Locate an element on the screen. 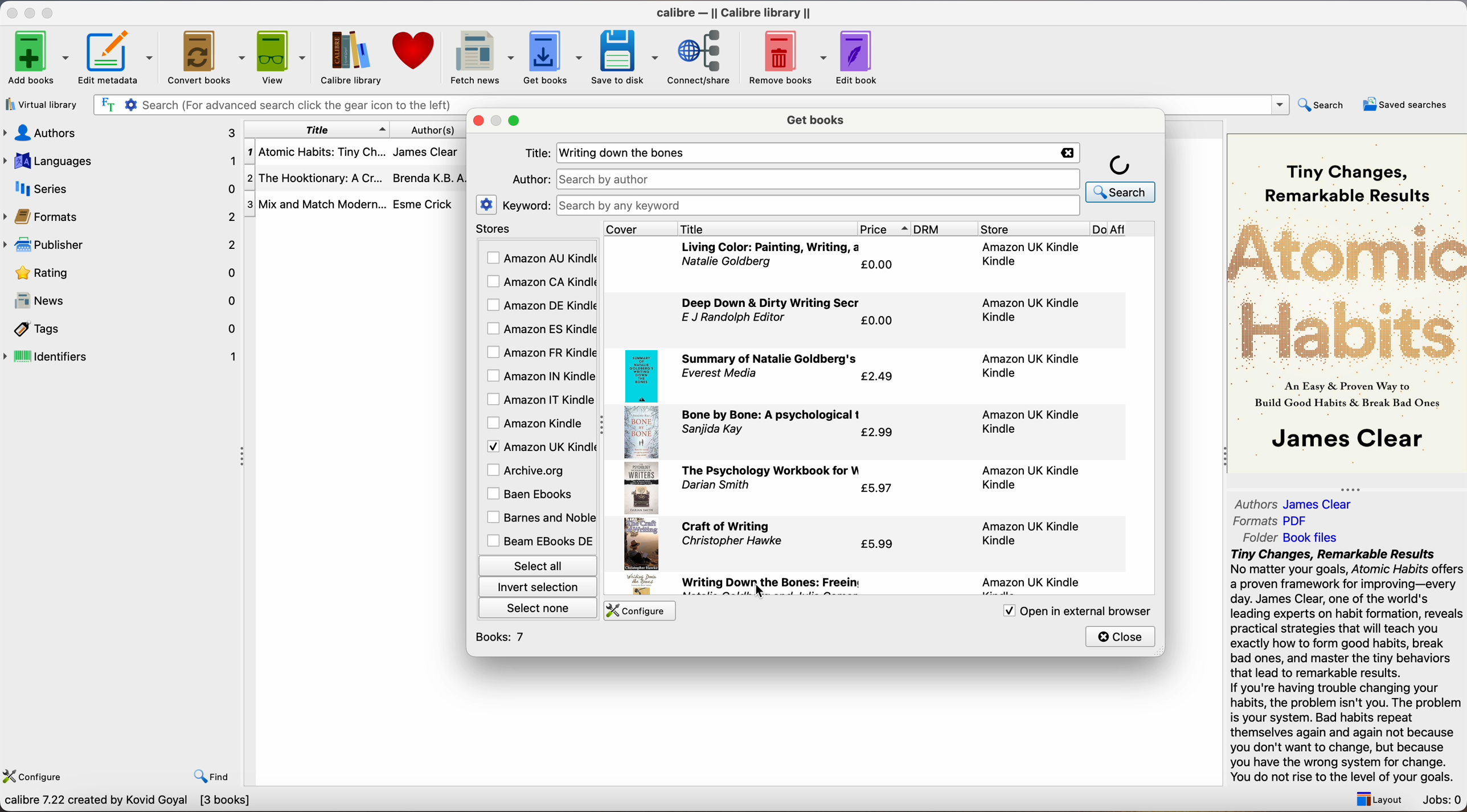 Image resolution: width=1467 pixels, height=812 pixels. author is located at coordinates (529, 179).